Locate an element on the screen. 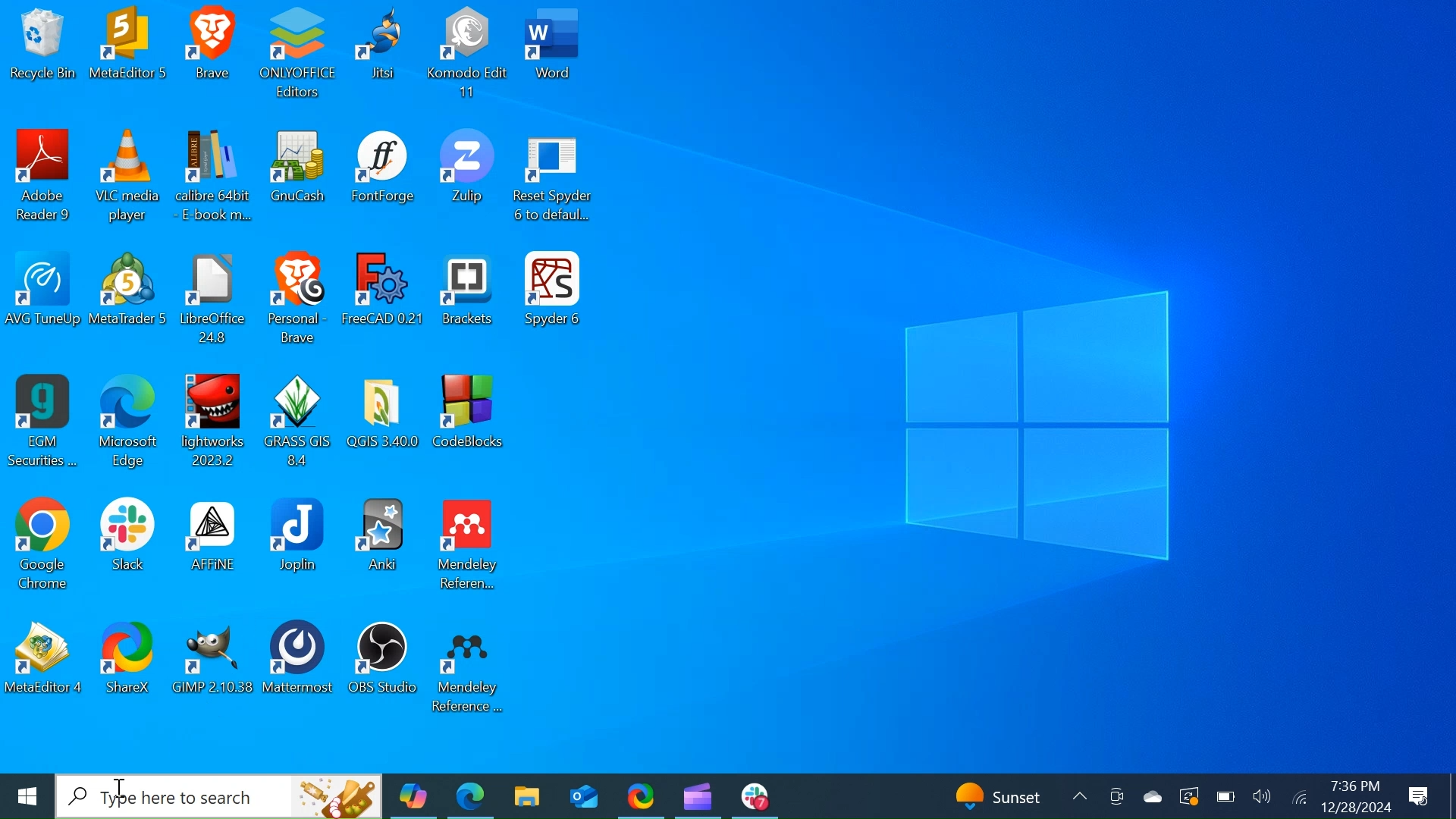  Joplin Desktop Icon is located at coordinates (299, 544).